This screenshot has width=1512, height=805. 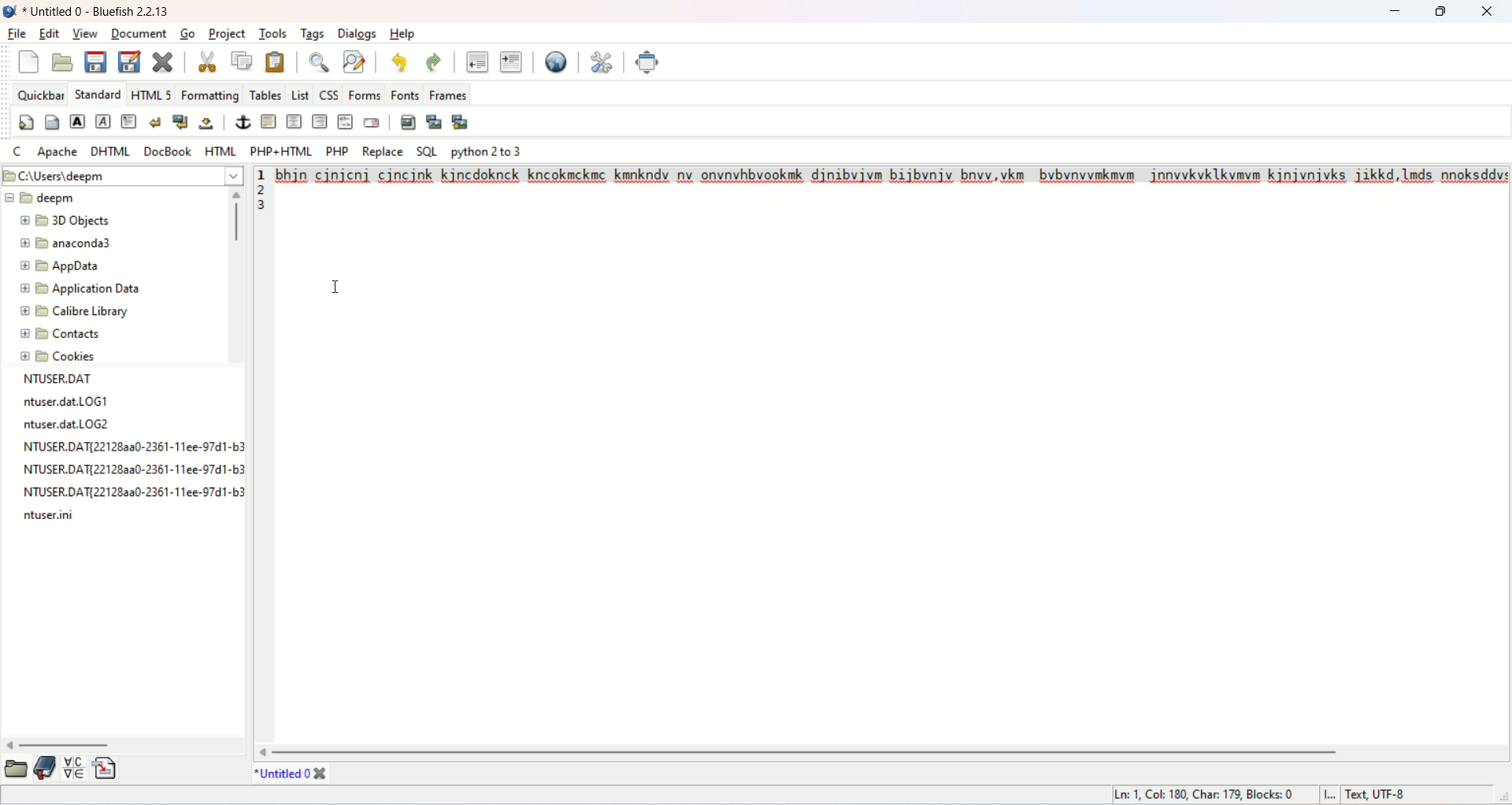 I want to click on email, so click(x=372, y=123).